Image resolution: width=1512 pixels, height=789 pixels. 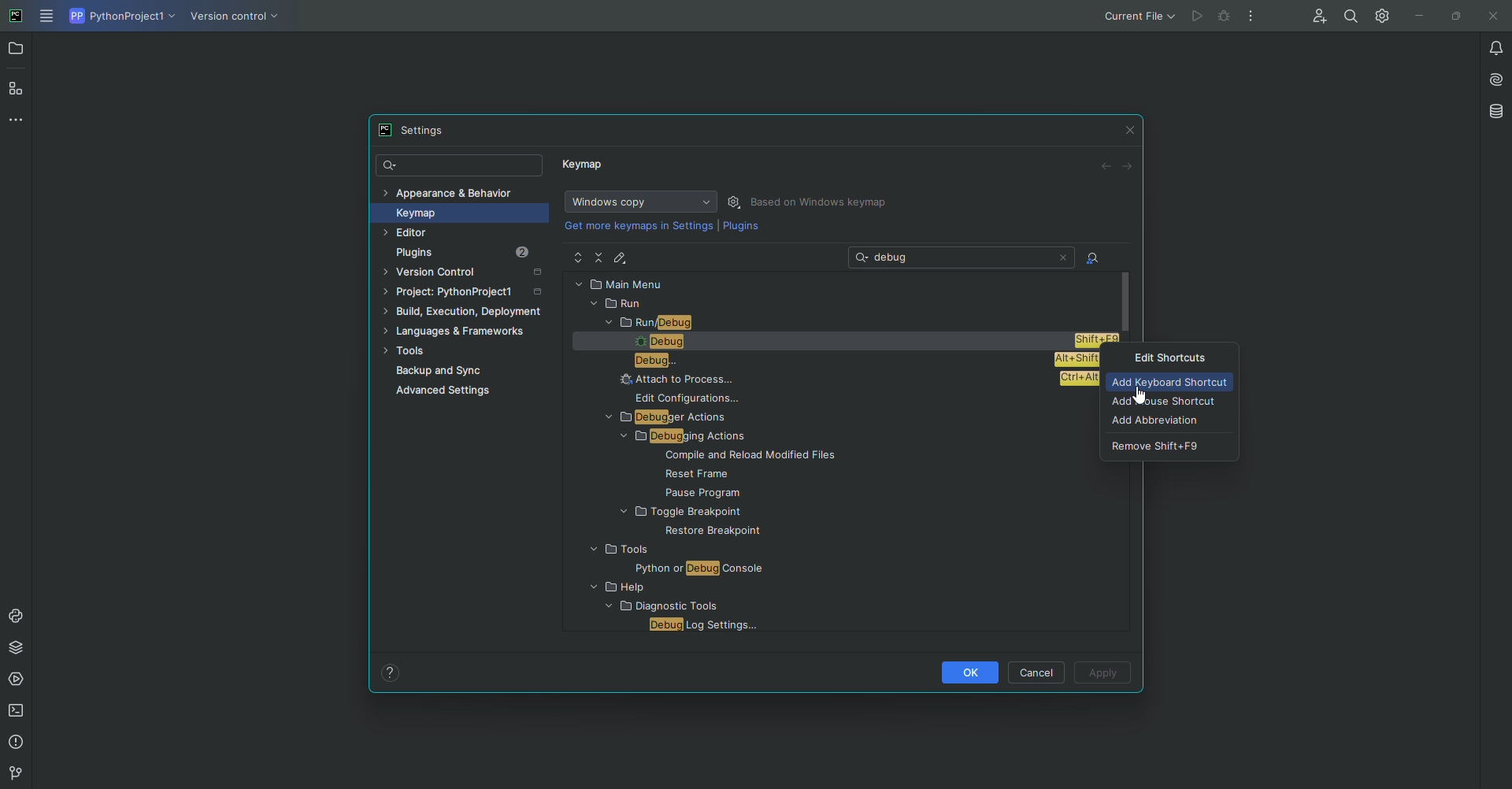 I want to click on Cannot run the file, so click(x=1197, y=17).